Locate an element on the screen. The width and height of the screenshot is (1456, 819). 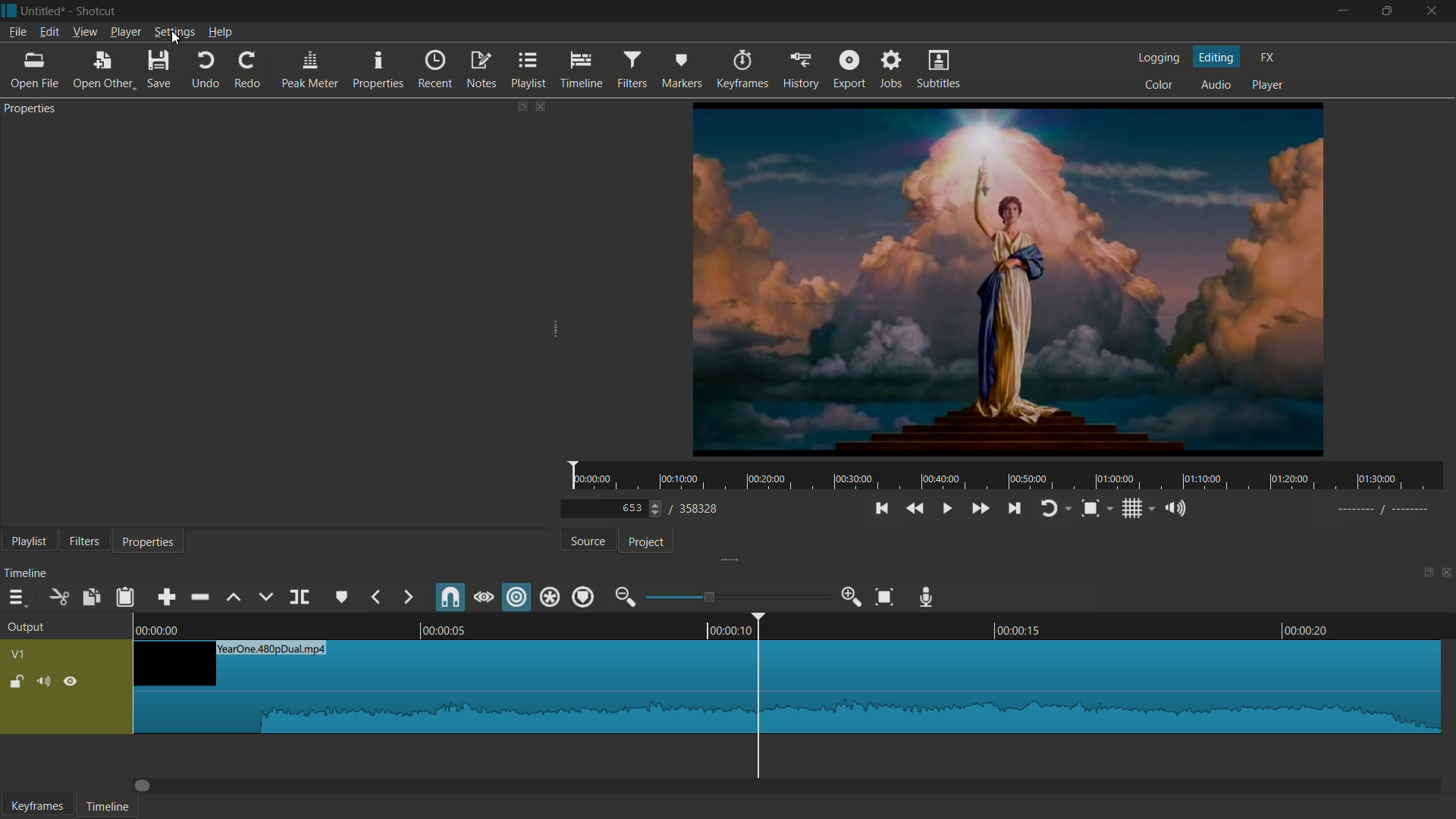
adjustment bar is located at coordinates (736, 596).